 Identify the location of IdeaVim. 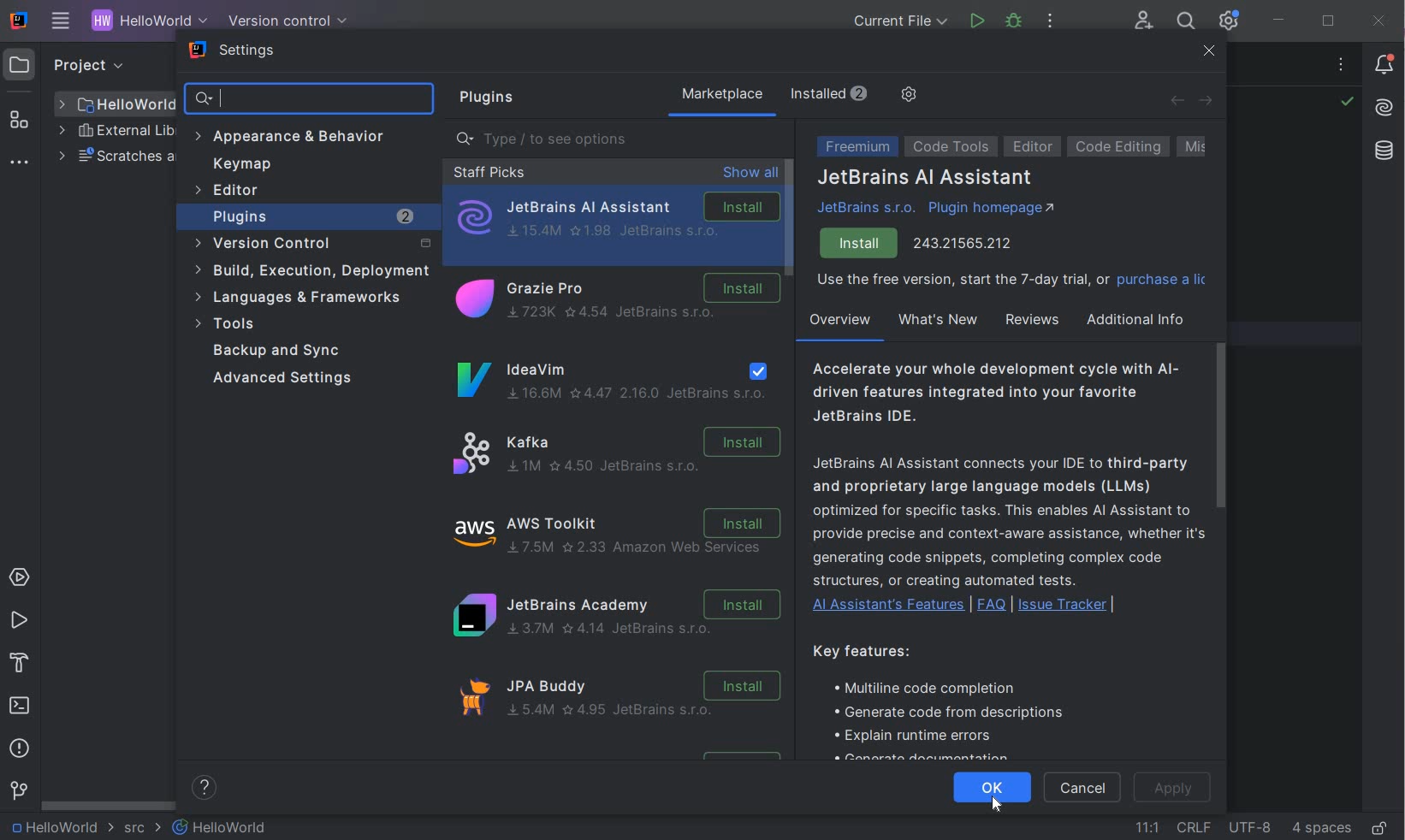
(614, 381).